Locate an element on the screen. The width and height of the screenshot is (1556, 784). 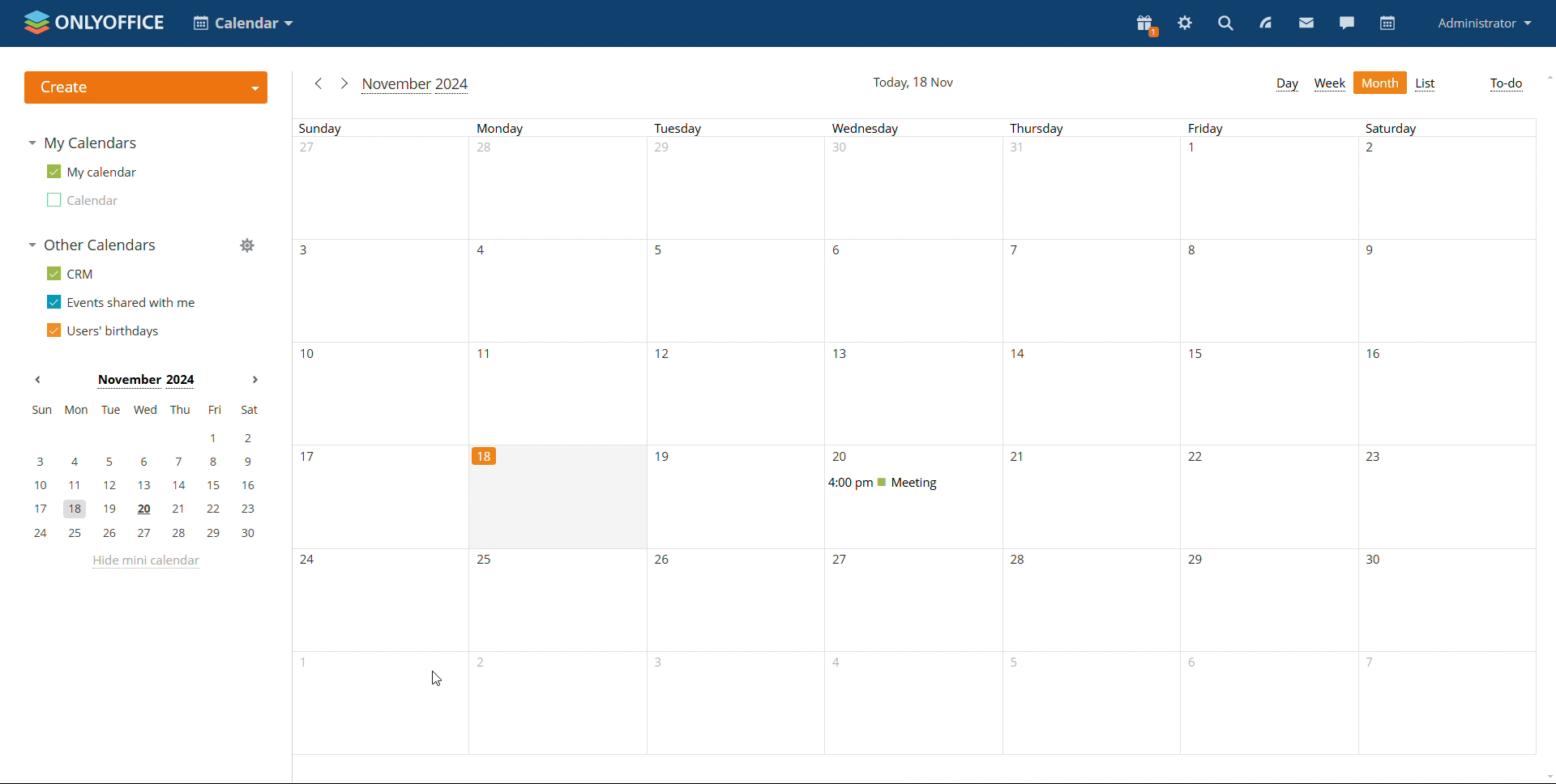
crm is located at coordinates (69, 274).